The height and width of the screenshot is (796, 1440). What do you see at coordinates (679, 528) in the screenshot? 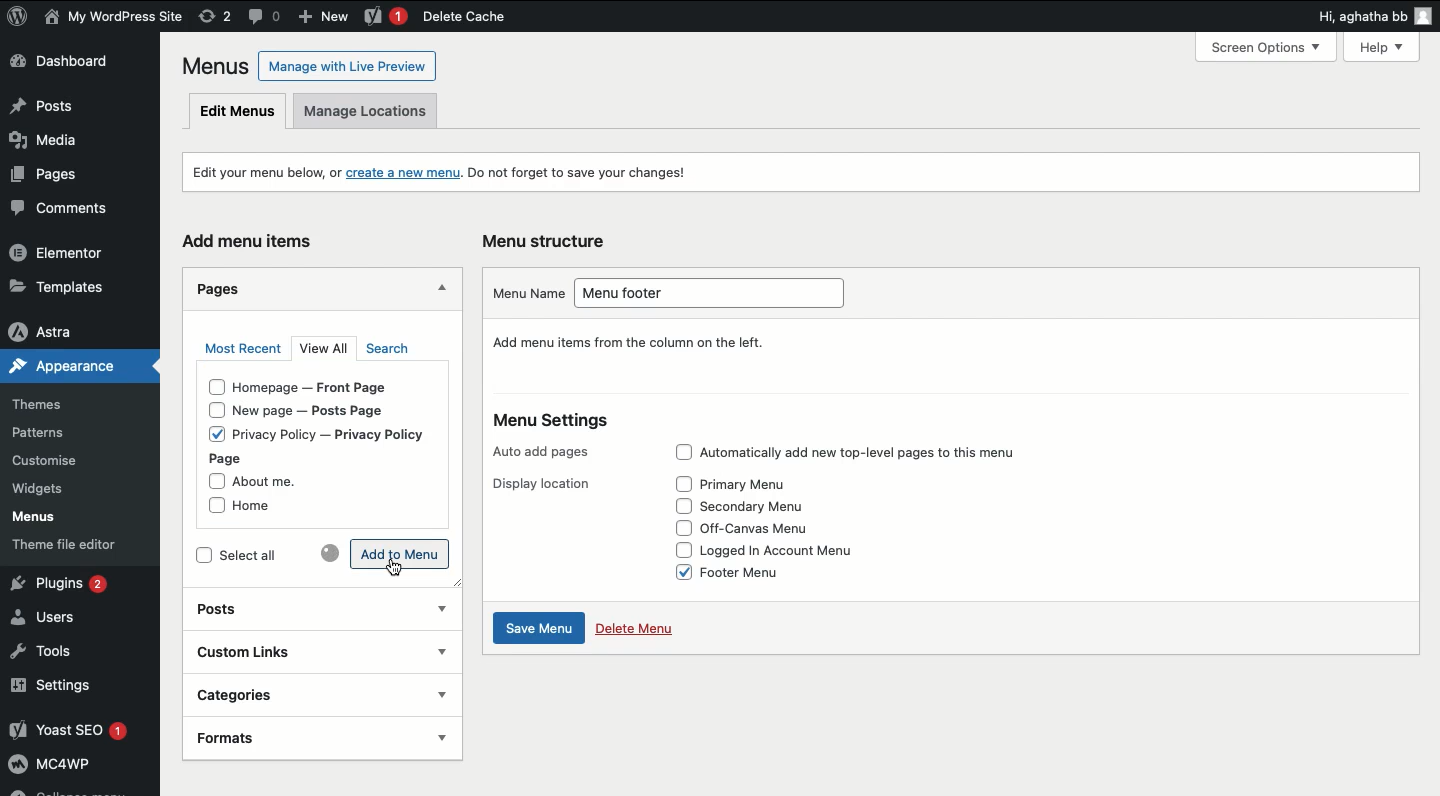
I see `Check box` at bounding box center [679, 528].